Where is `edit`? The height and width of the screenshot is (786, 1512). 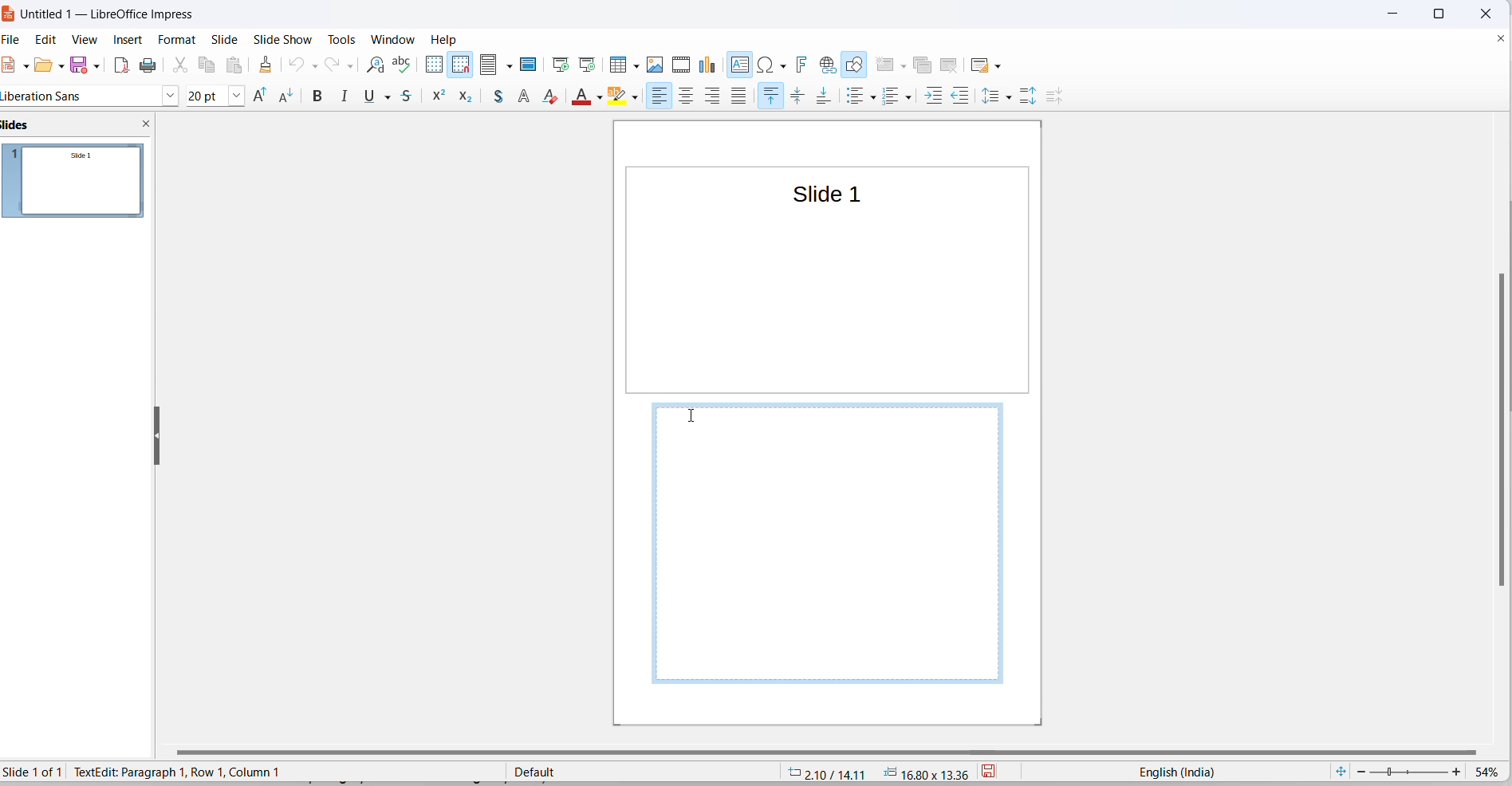 edit is located at coordinates (49, 39).